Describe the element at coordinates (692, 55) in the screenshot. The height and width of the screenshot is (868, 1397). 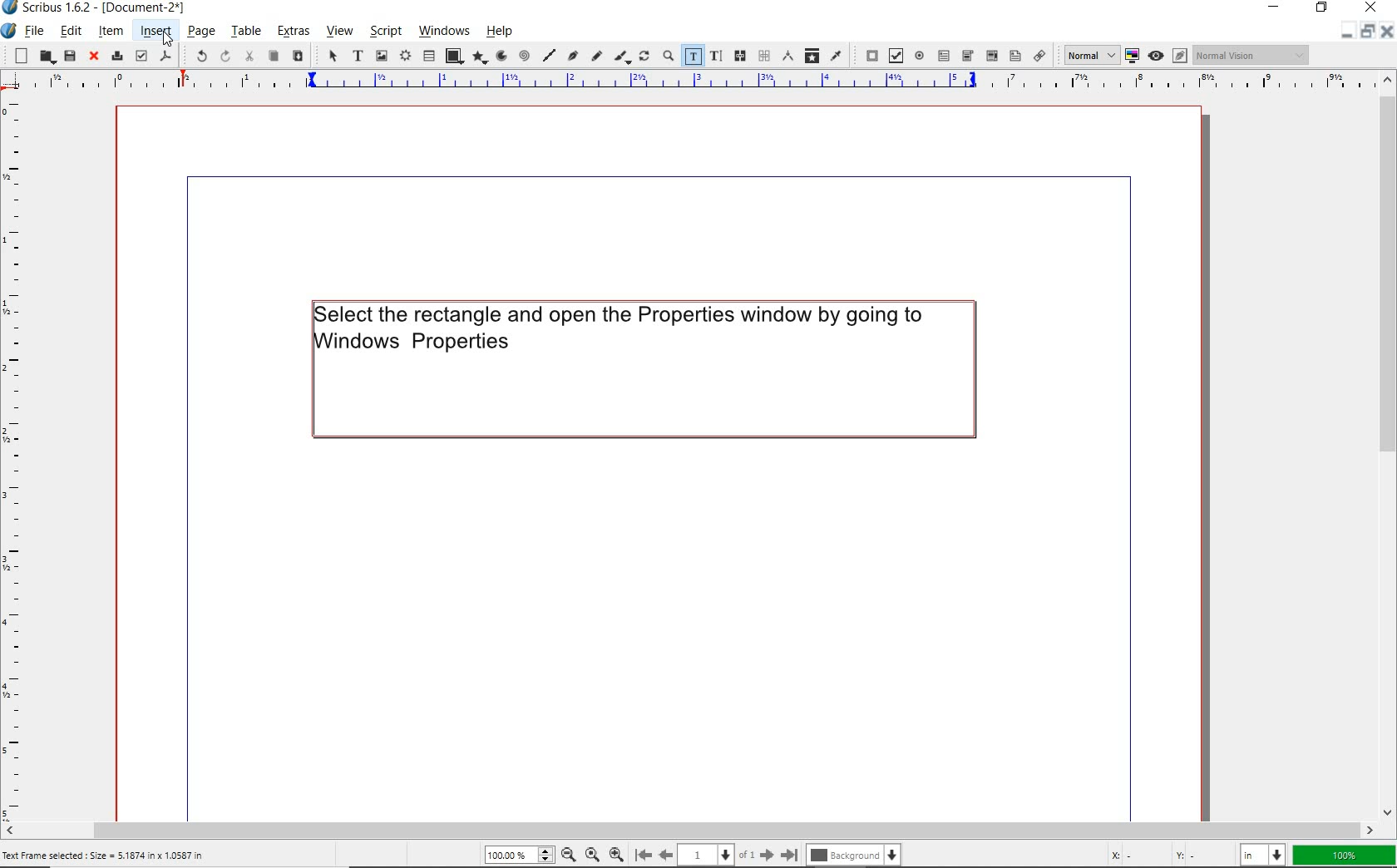
I see `edit contents of frame` at that location.